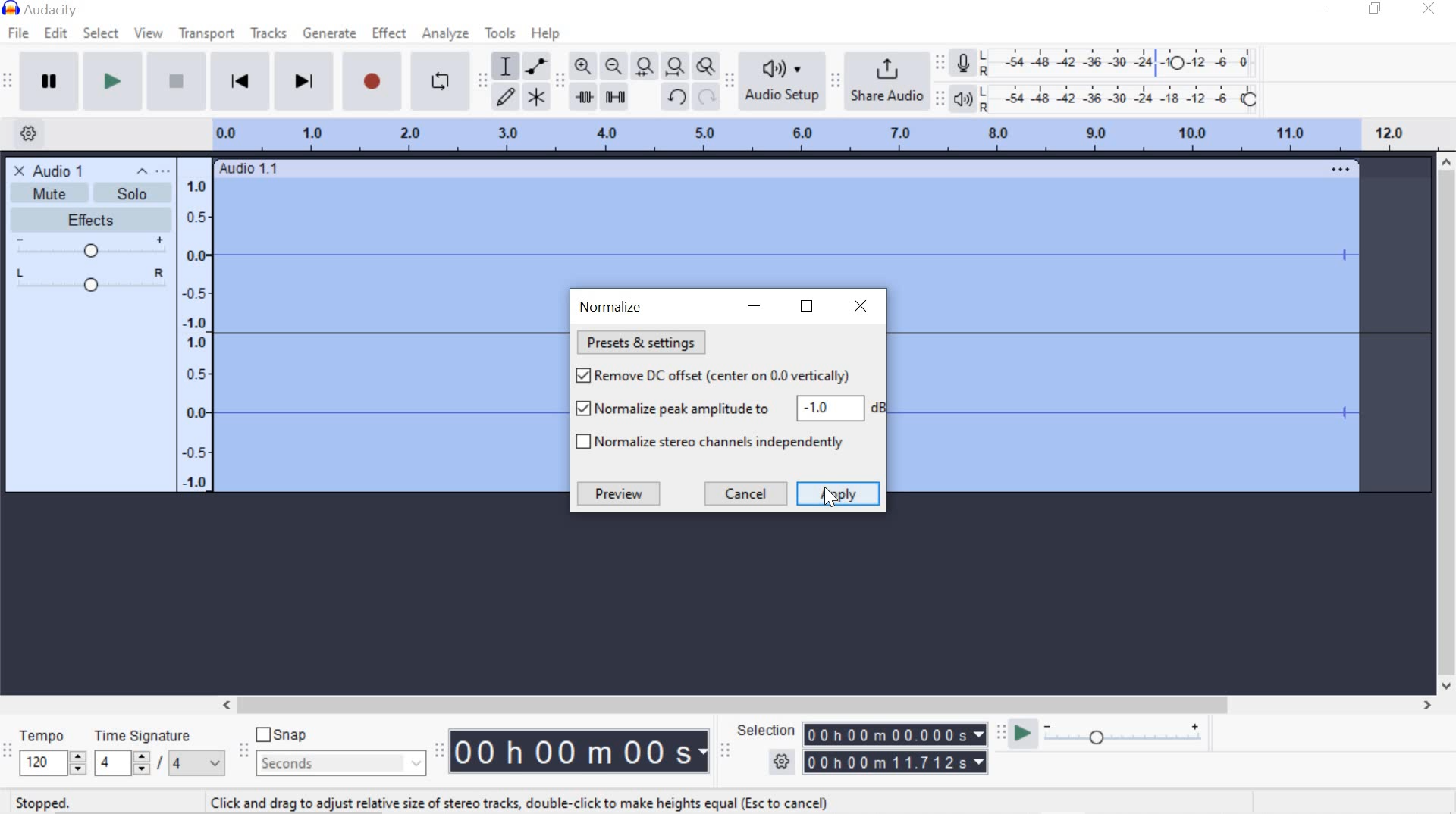 This screenshot has width=1456, height=814. Describe the element at coordinates (50, 752) in the screenshot. I see `TEMPO` at that location.